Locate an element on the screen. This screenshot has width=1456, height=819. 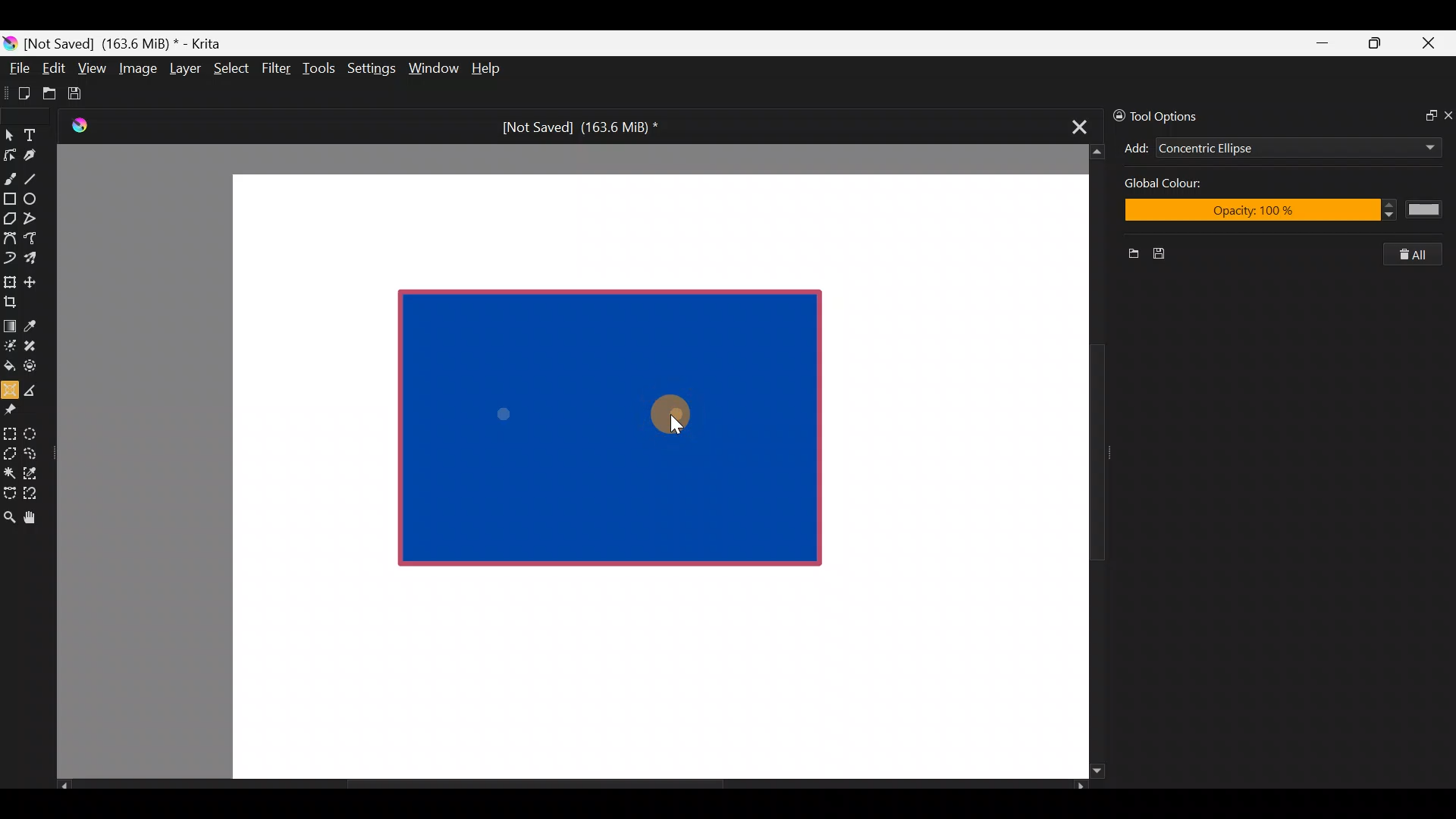
Create new document is located at coordinates (19, 93).